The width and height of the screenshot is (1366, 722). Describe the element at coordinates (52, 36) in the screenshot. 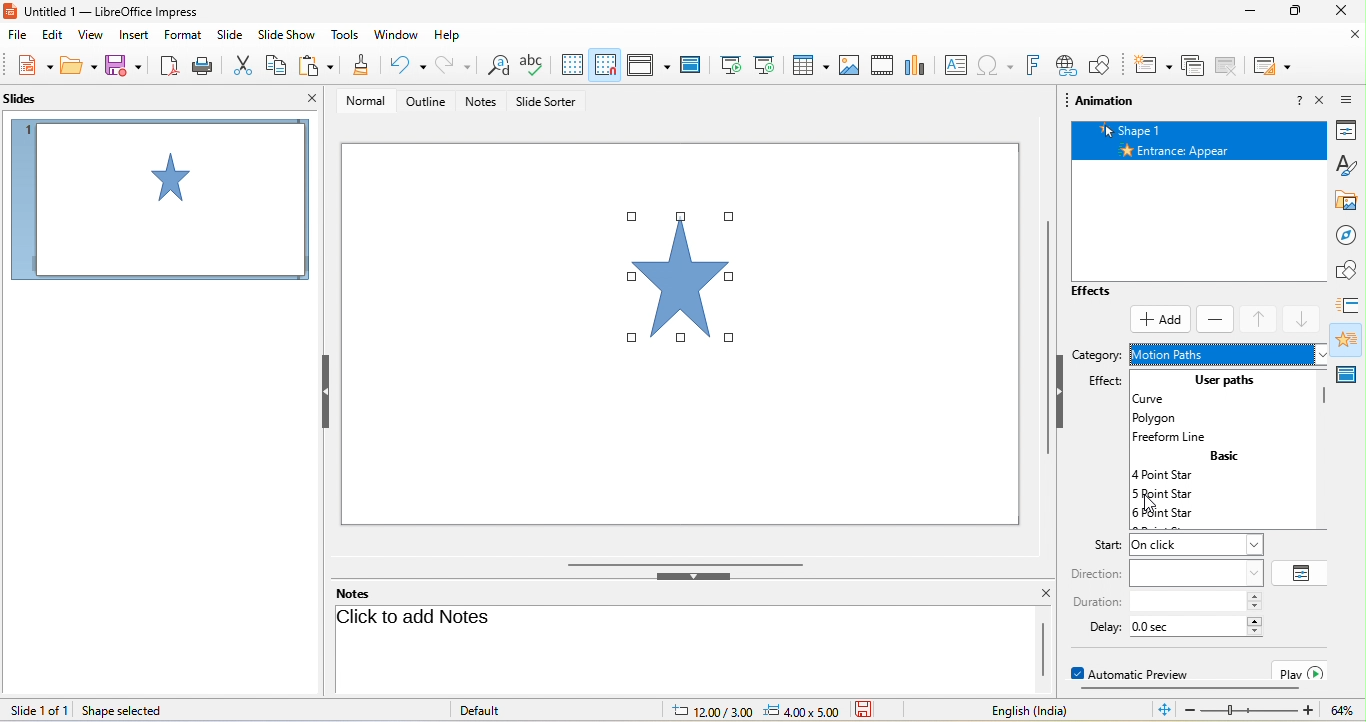

I see `edit` at that location.